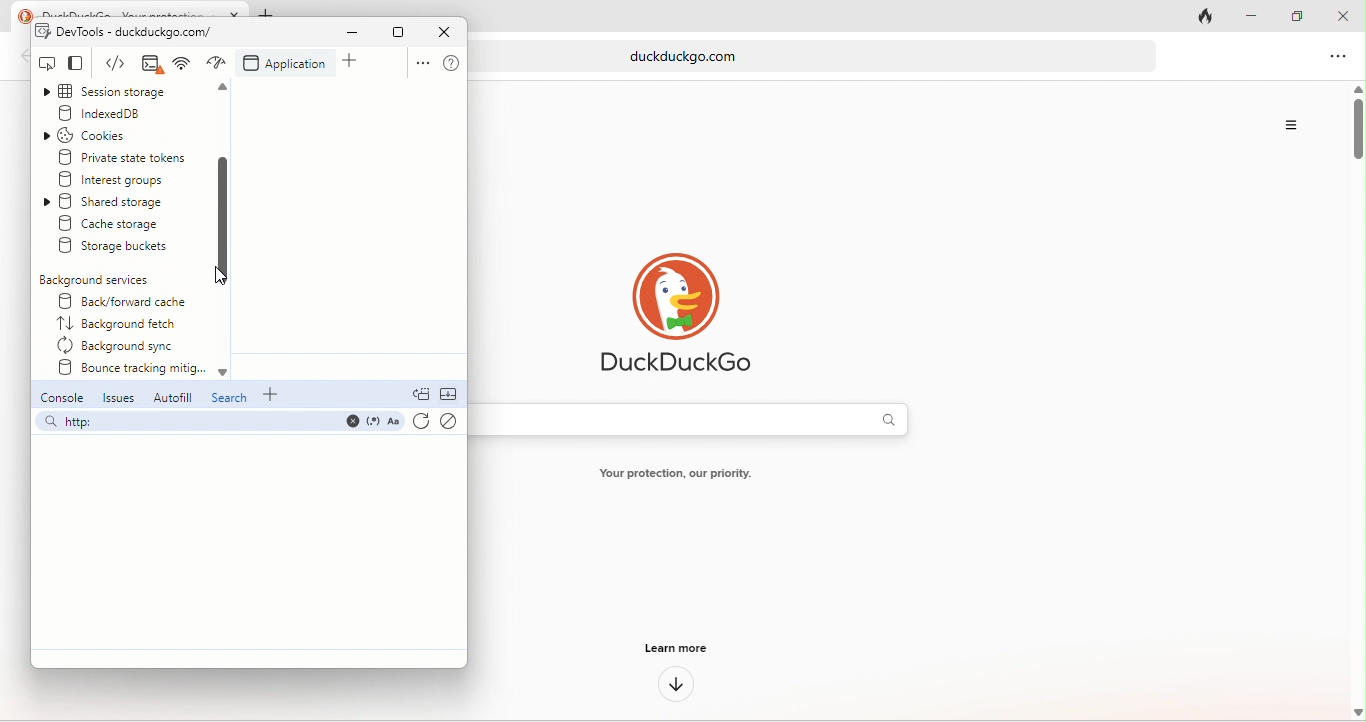 The height and width of the screenshot is (722, 1366). What do you see at coordinates (117, 301) in the screenshot?
I see `back/forward cache` at bounding box center [117, 301].